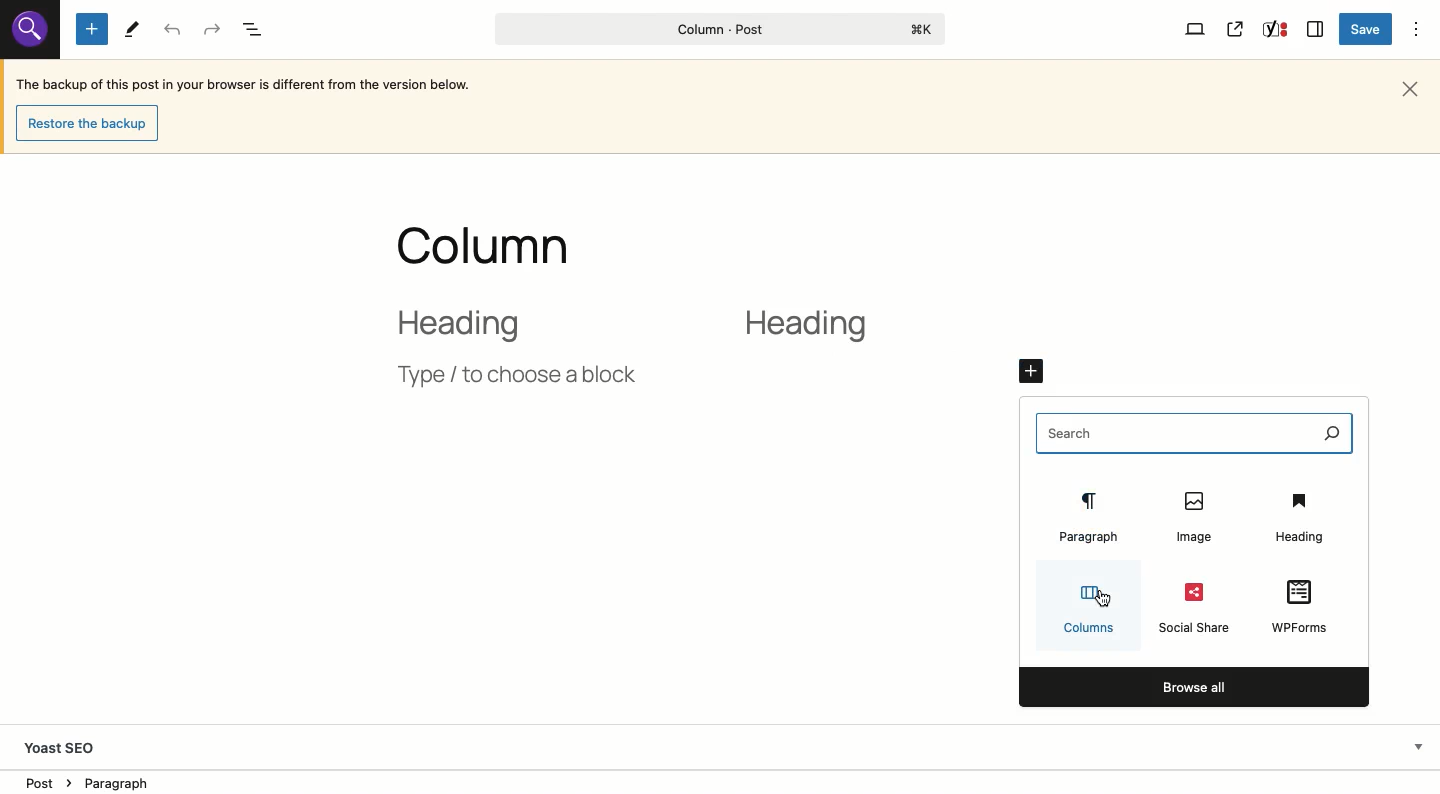  Describe the element at coordinates (715, 29) in the screenshot. I see `Column - Post` at that location.